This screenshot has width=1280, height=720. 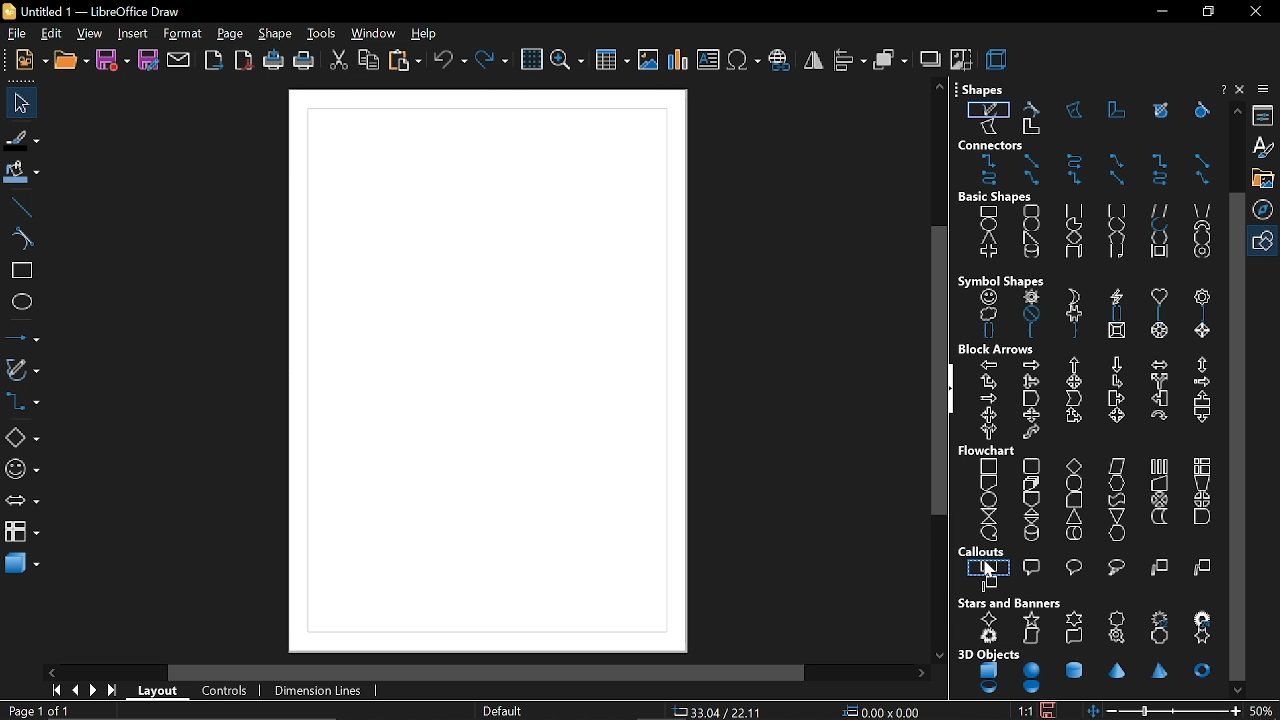 What do you see at coordinates (1074, 224) in the screenshot?
I see `circle pie` at bounding box center [1074, 224].